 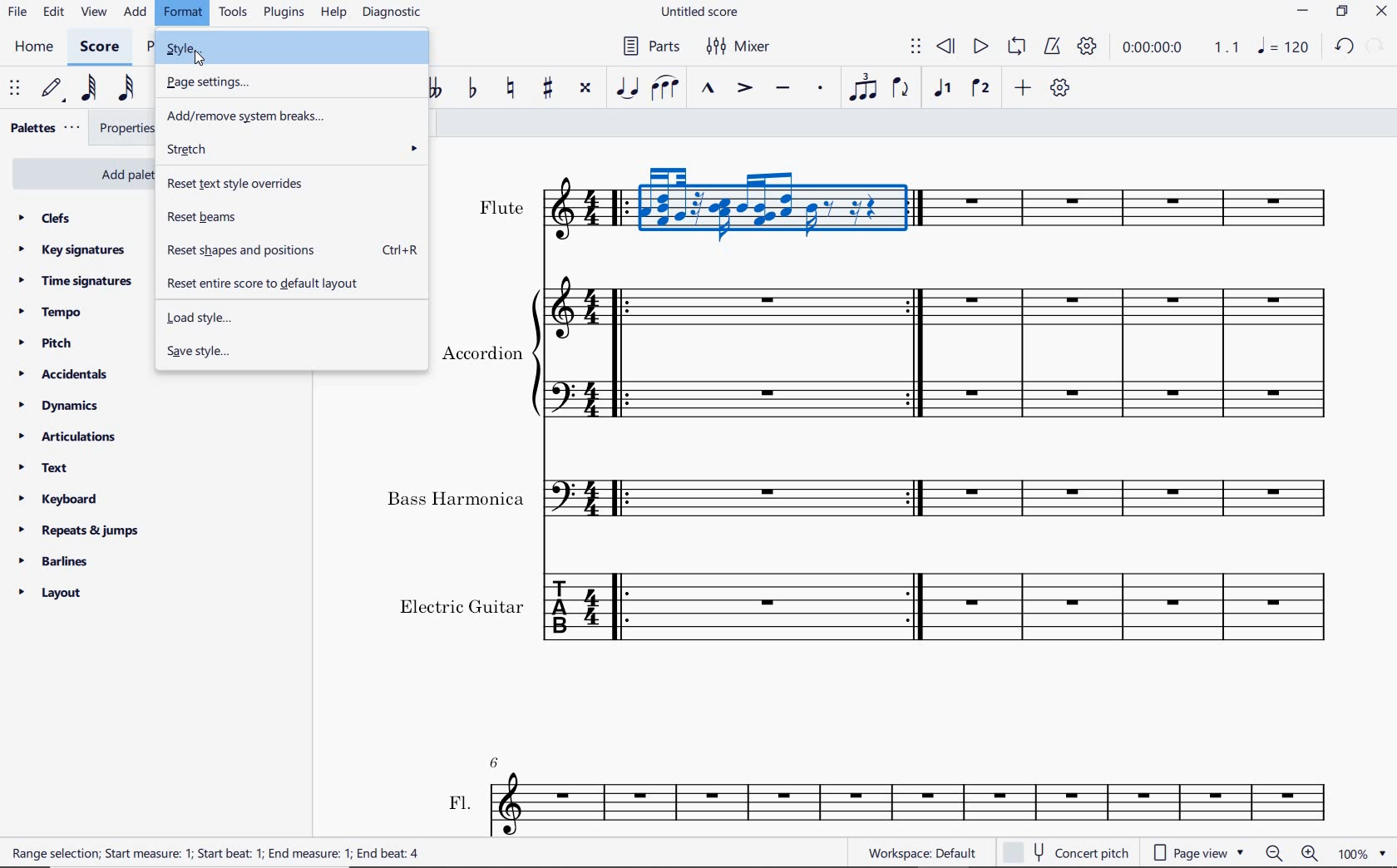 I want to click on playback settings, so click(x=1087, y=45).